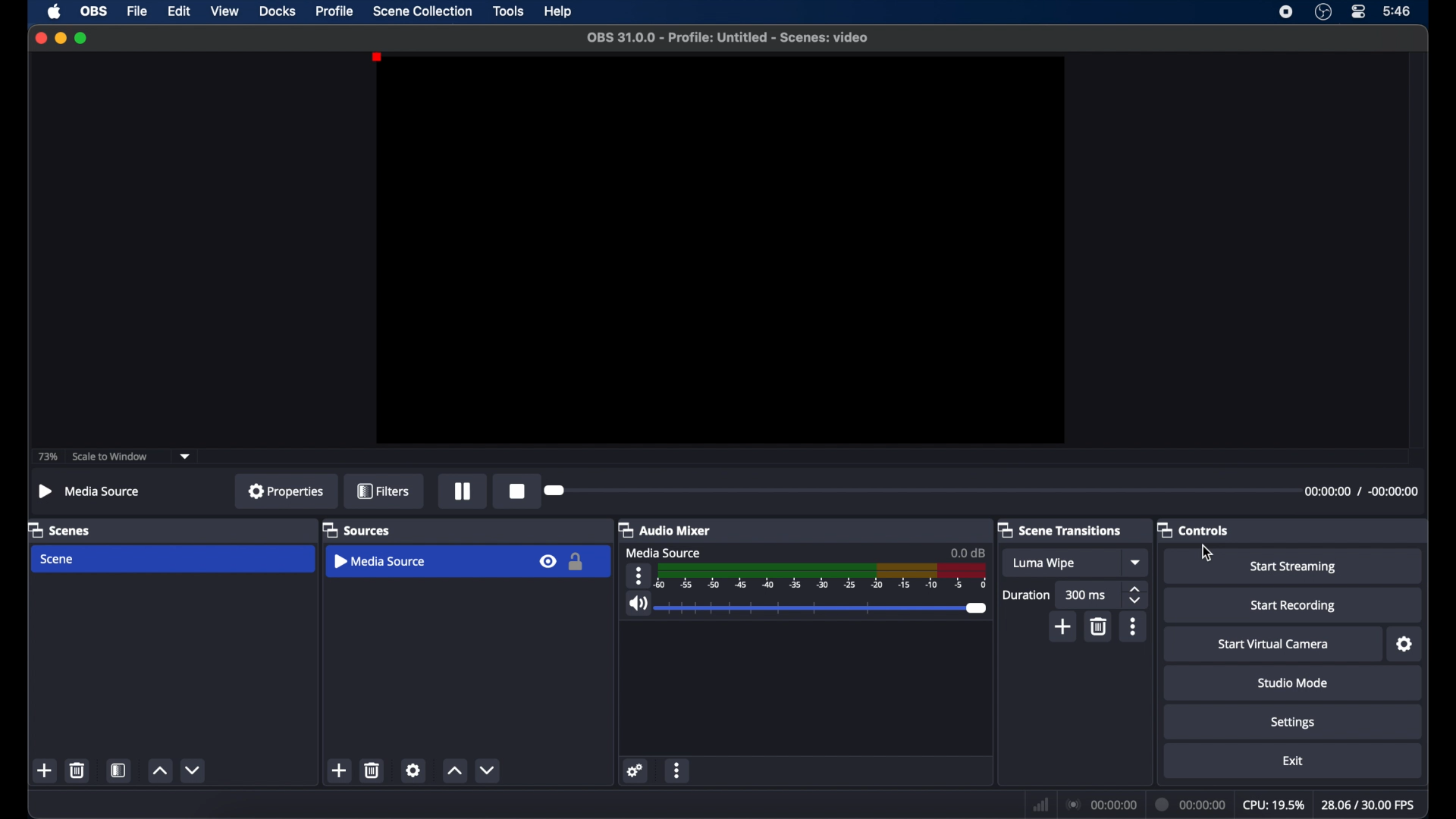  What do you see at coordinates (1361, 491) in the screenshot?
I see `timestamps` at bounding box center [1361, 491].